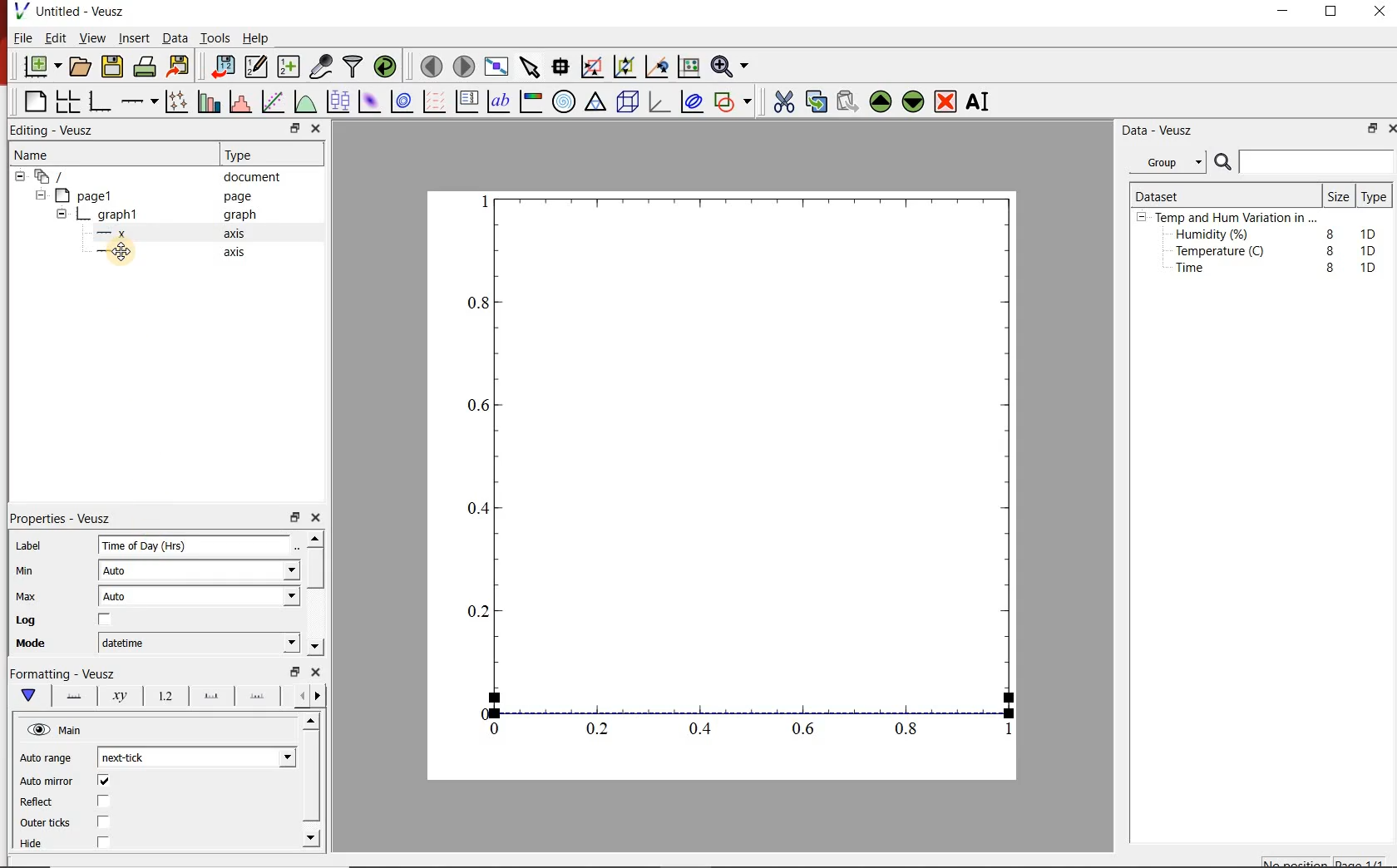  What do you see at coordinates (1161, 131) in the screenshot?
I see `Data - Veusz` at bounding box center [1161, 131].